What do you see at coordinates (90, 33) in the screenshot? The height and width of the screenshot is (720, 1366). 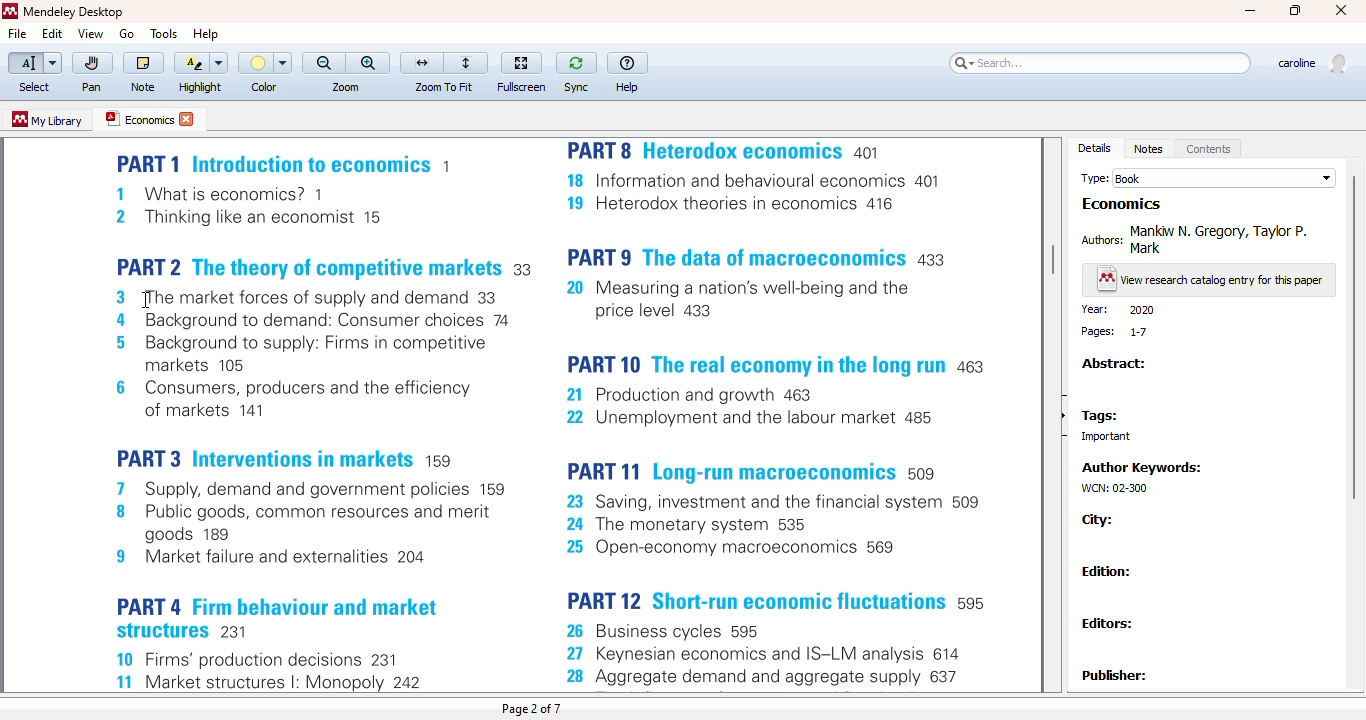 I see `view` at bounding box center [90, 33].